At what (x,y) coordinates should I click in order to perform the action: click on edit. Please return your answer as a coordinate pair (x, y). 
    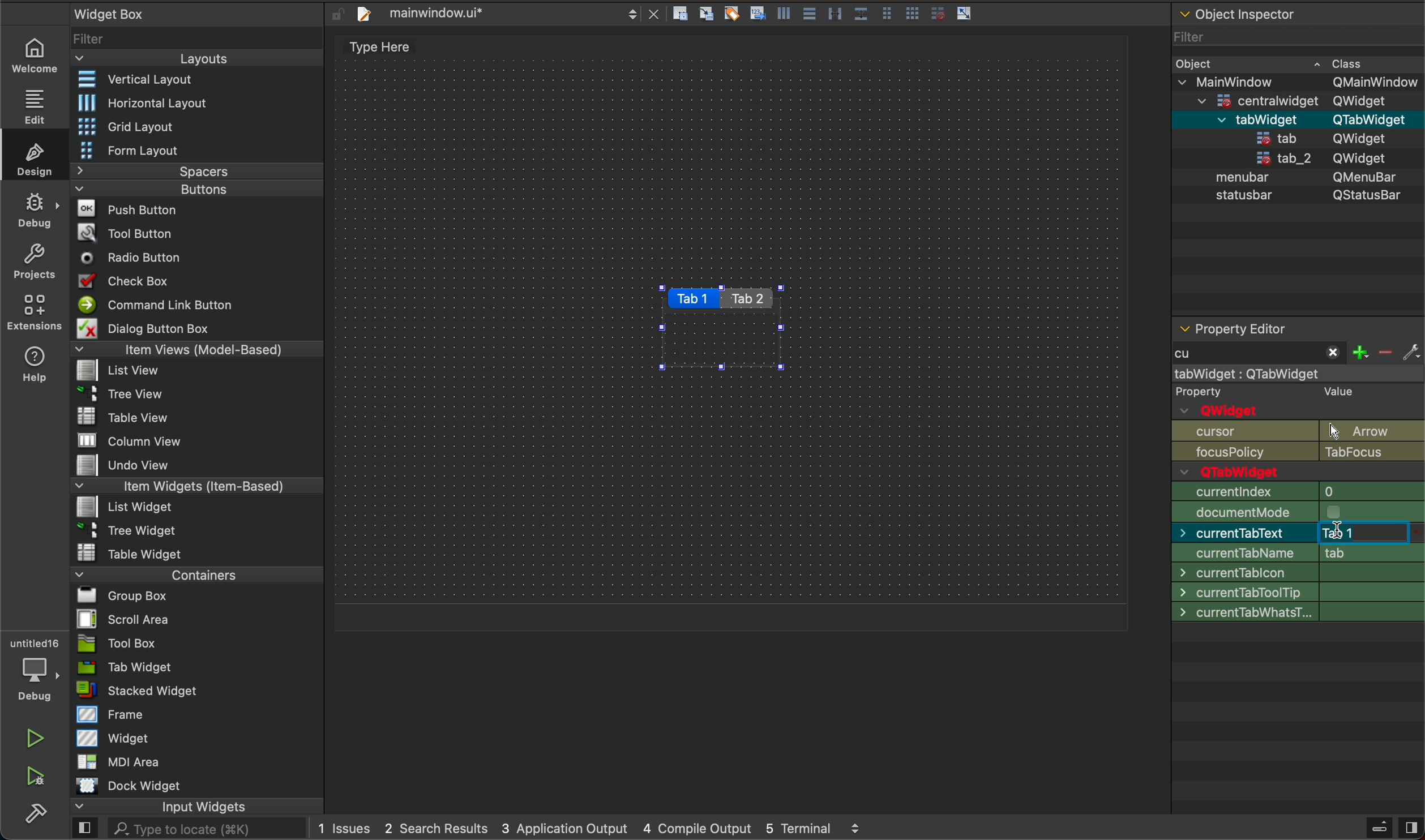
    Looking at the image, I should click on (36, 103).